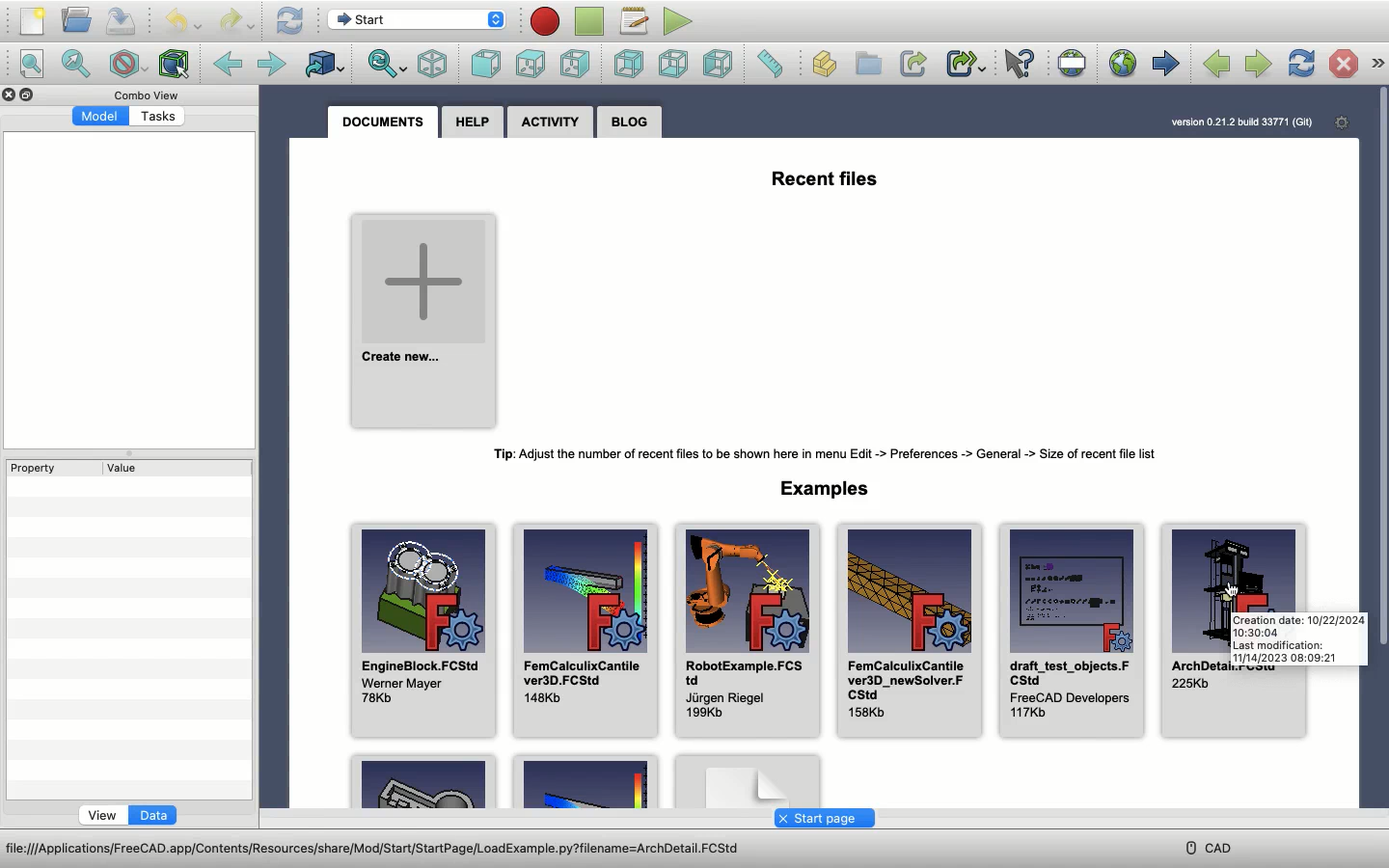  What do you see at coordinates (1073, 633) in the screenshot?
I see `draft_test_objects.FCStd` at bounding box center [1073, 633].